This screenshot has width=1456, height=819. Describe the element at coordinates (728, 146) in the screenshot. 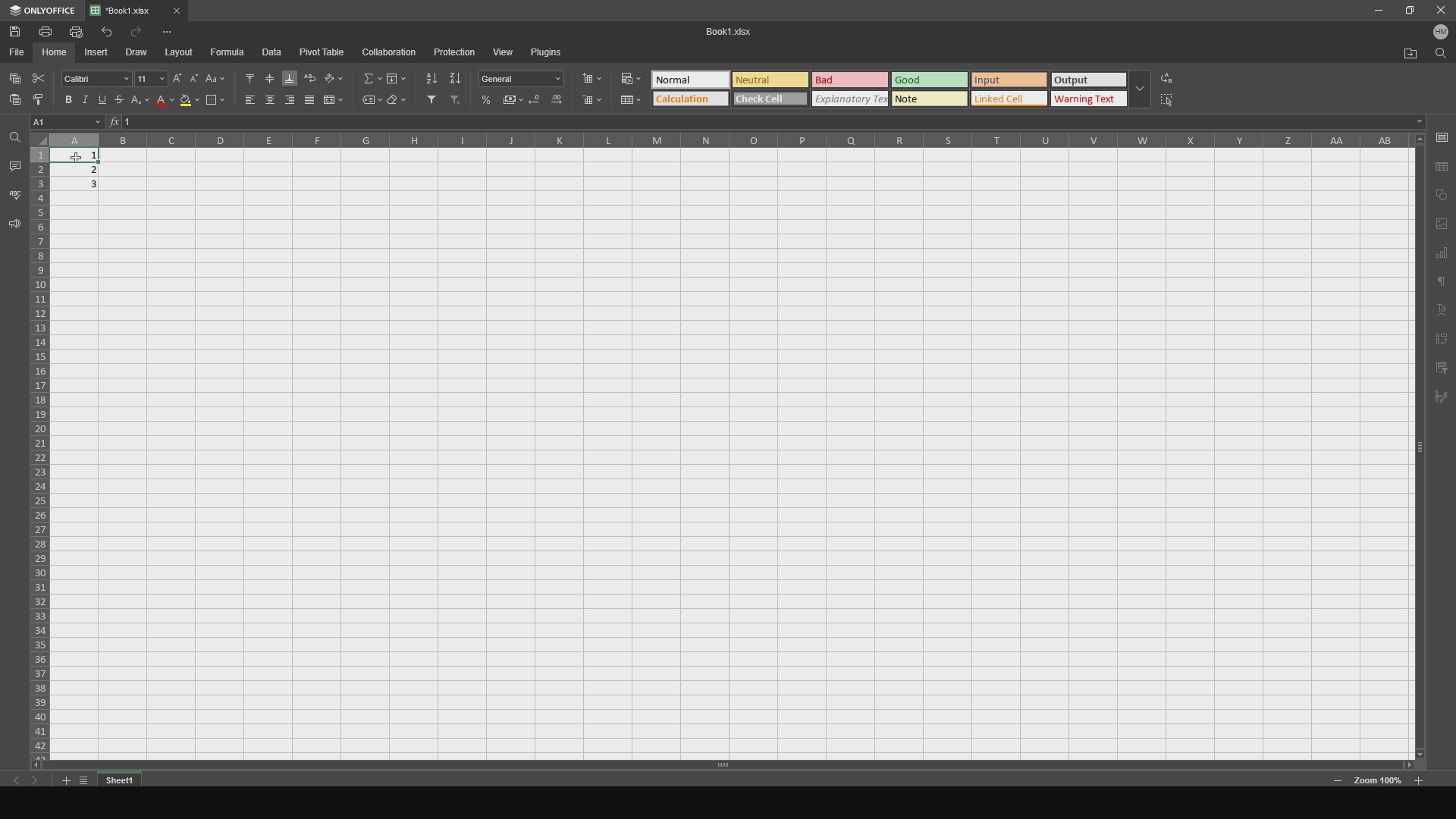

I see `columns` at that location.